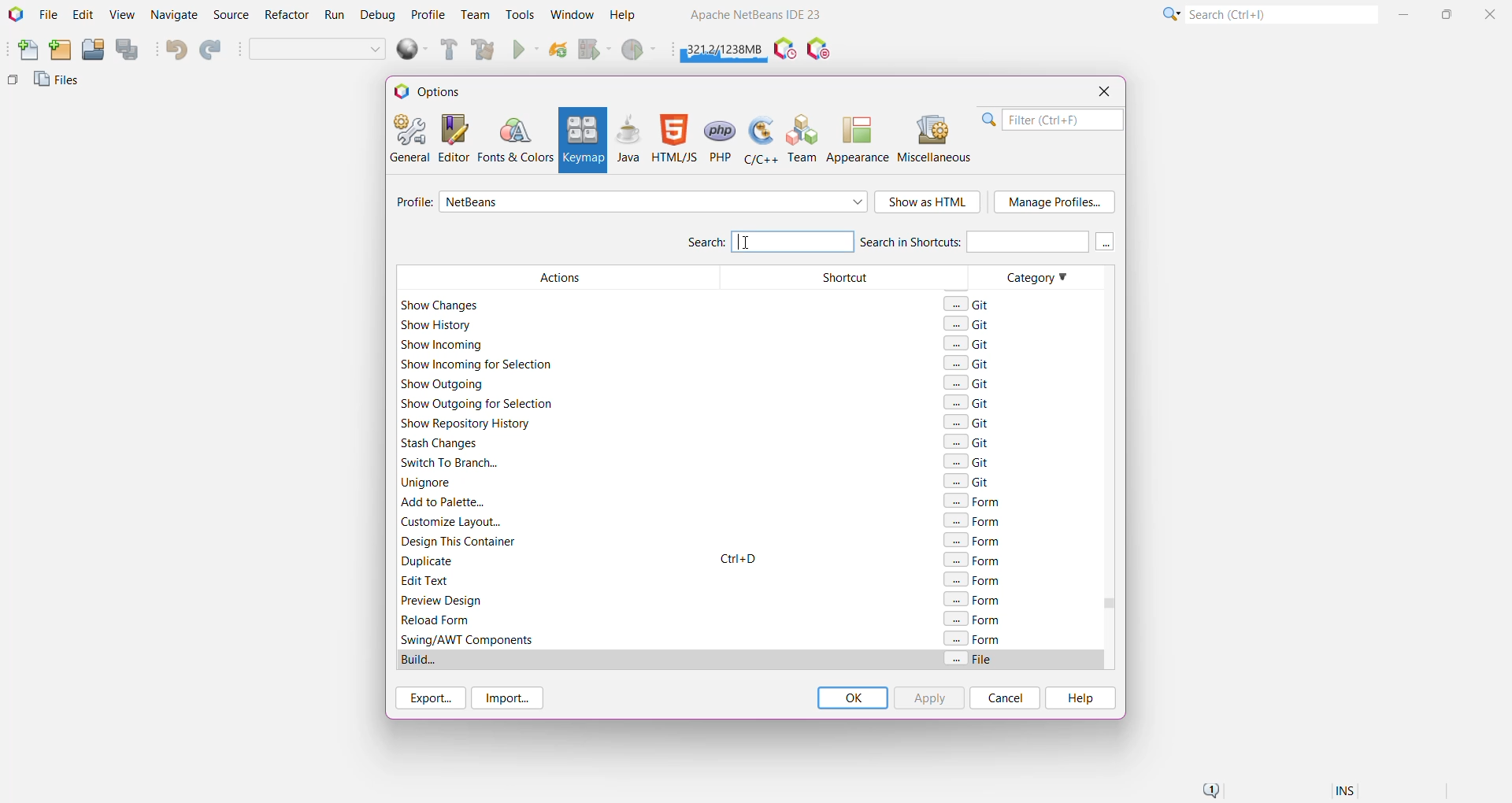 Image resolution: width=1512 pixels, height=803 pixels. What do you see at coordinates (1030, 468) in the screenshot?
I see `Category` at bounding box center [1030, 468].